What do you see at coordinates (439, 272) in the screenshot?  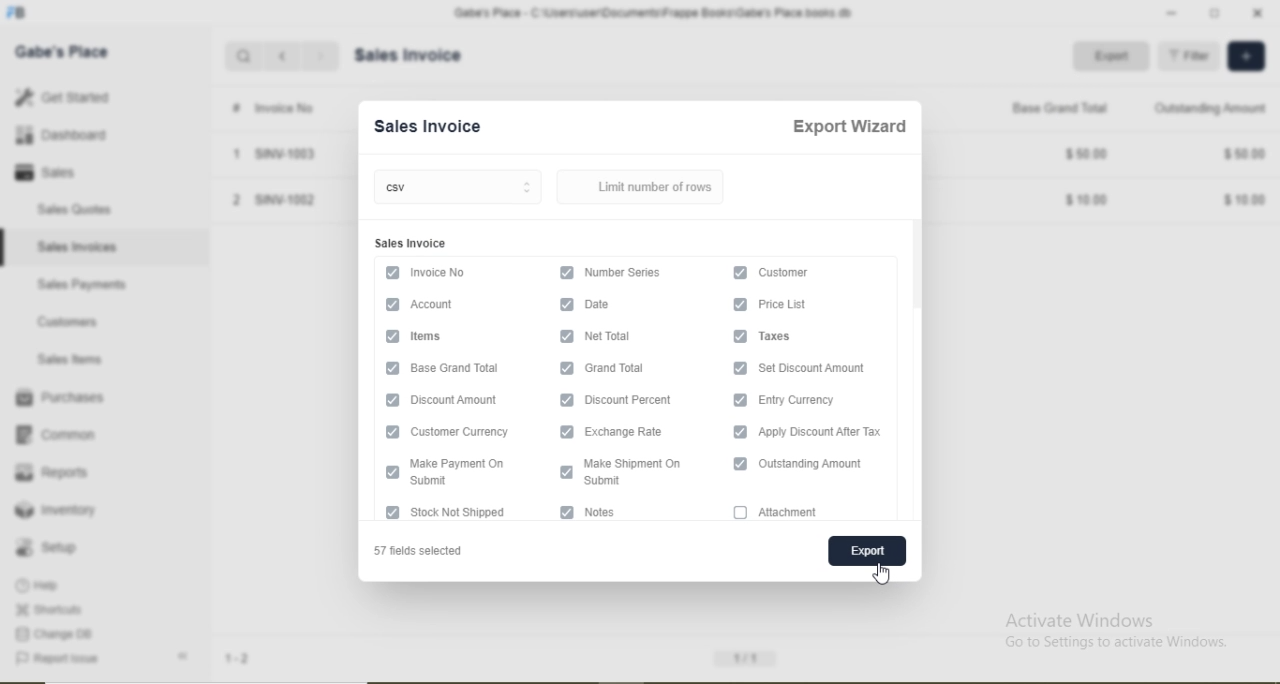 I see `Invoice No` at bounding box center [439, 272].